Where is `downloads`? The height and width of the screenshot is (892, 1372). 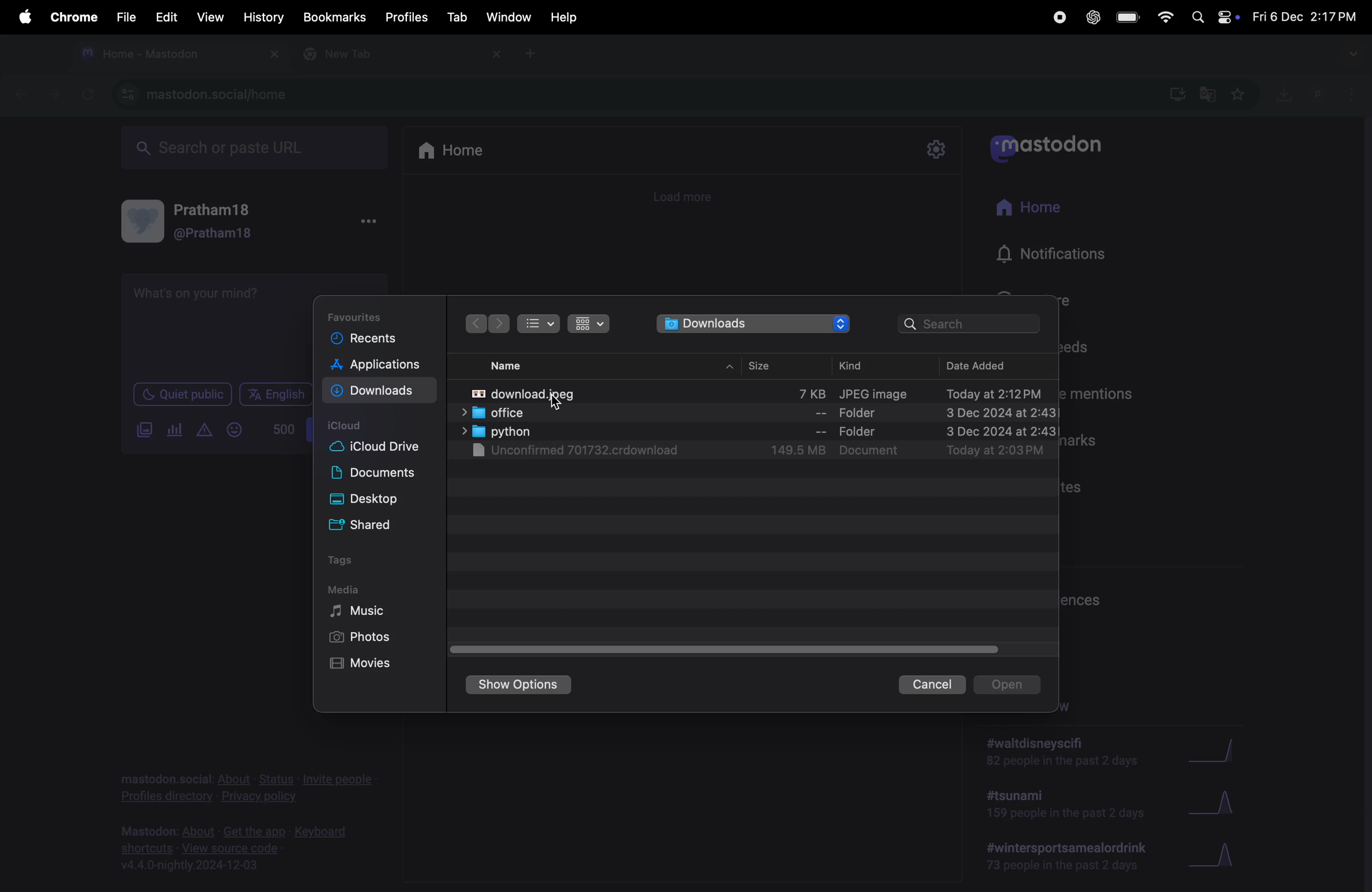 downloads is located at coordinates (1175, 92).